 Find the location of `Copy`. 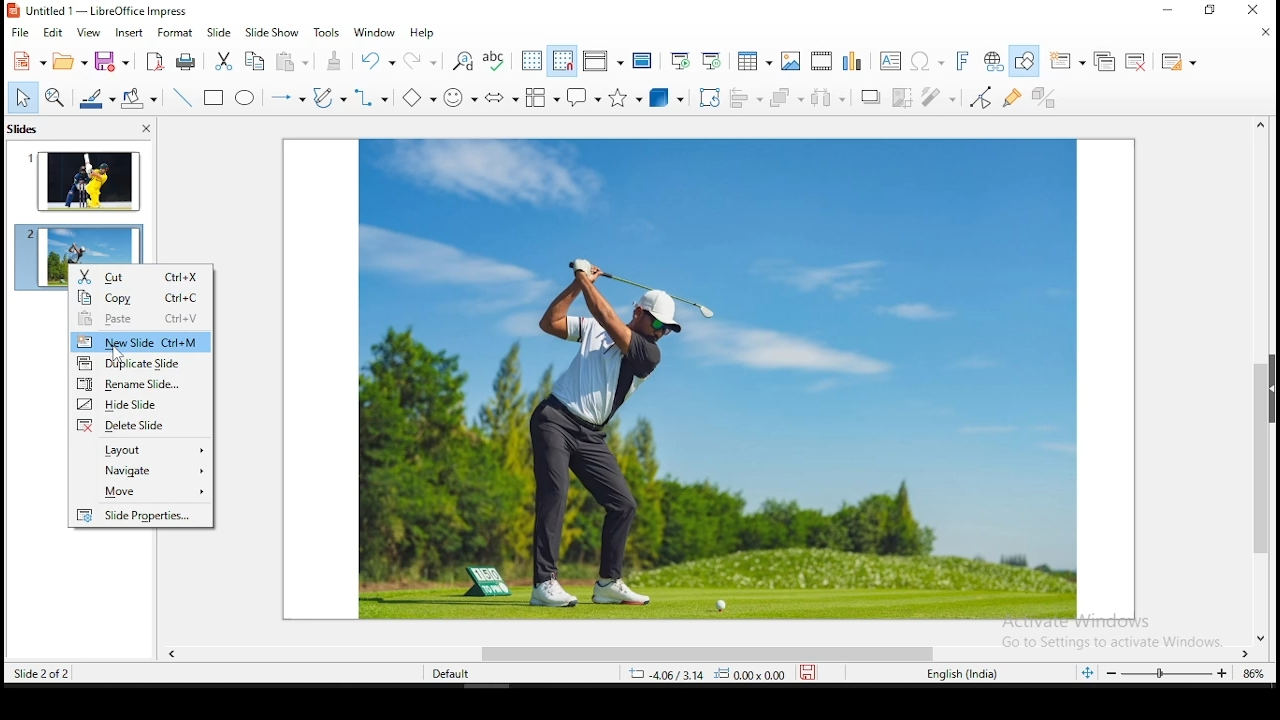

Copy is located at coordinates (140, 297).